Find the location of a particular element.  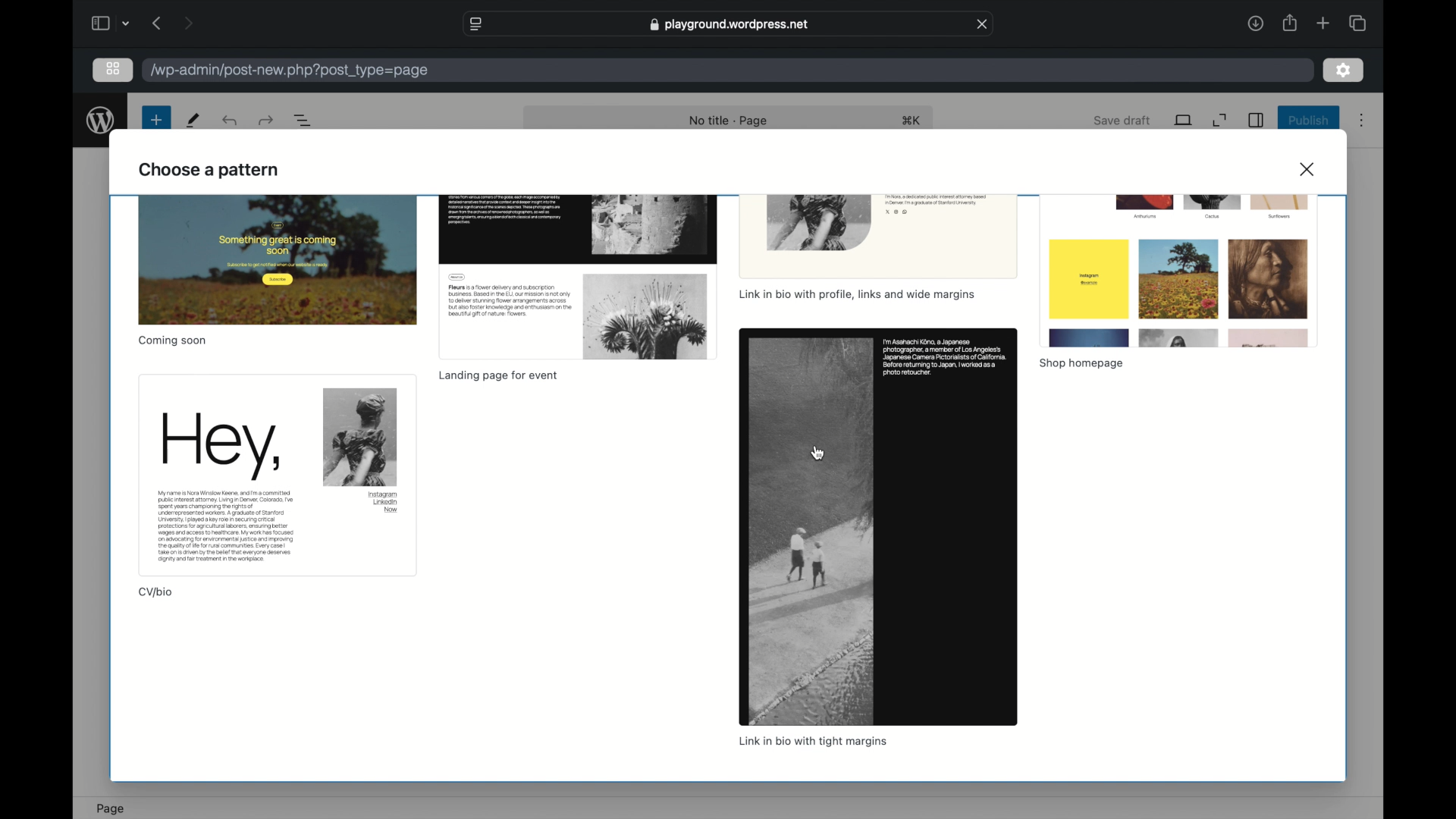

preview is located at coordinates (277, 260).